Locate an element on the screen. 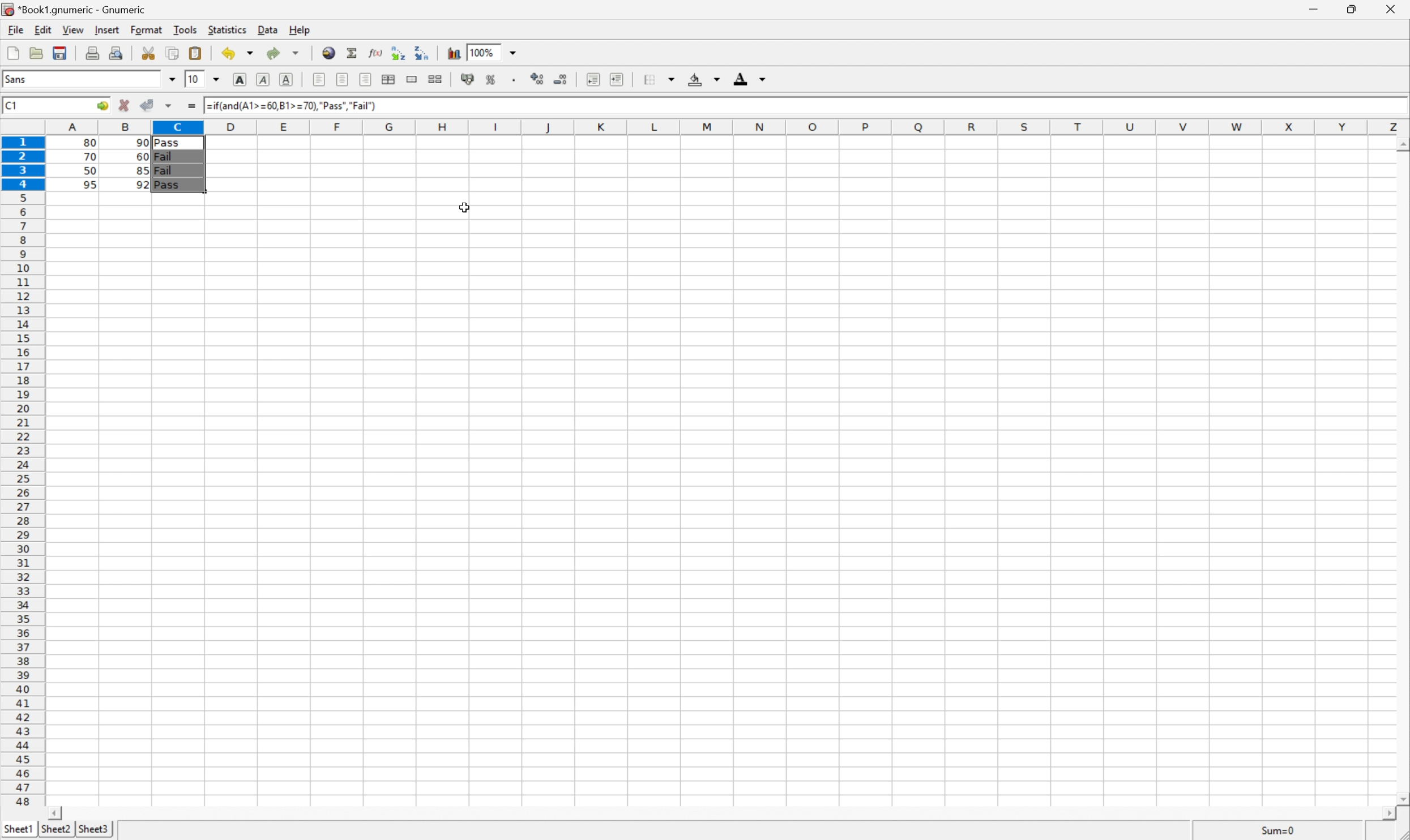 The width and height of the screenshot is (1410, 840). Print preview is located at coordinates (117, 53).